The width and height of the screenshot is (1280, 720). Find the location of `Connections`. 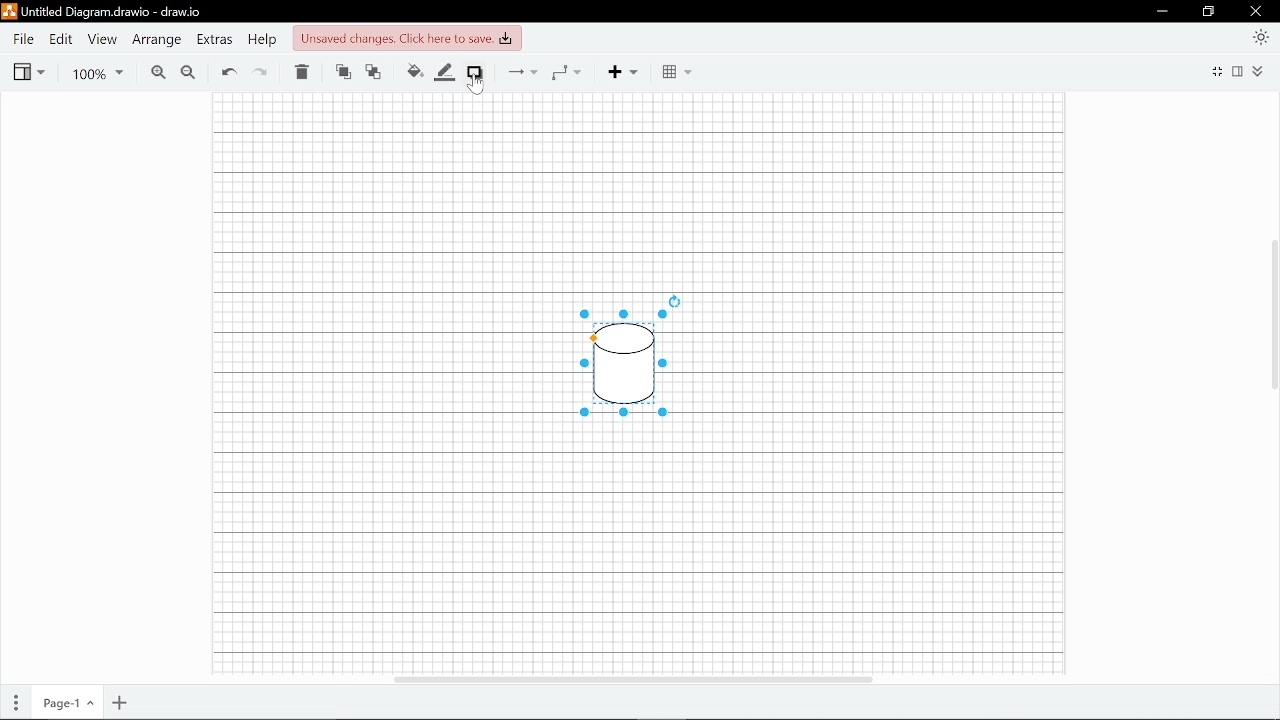

Connections is located at coordinates (519, 72).